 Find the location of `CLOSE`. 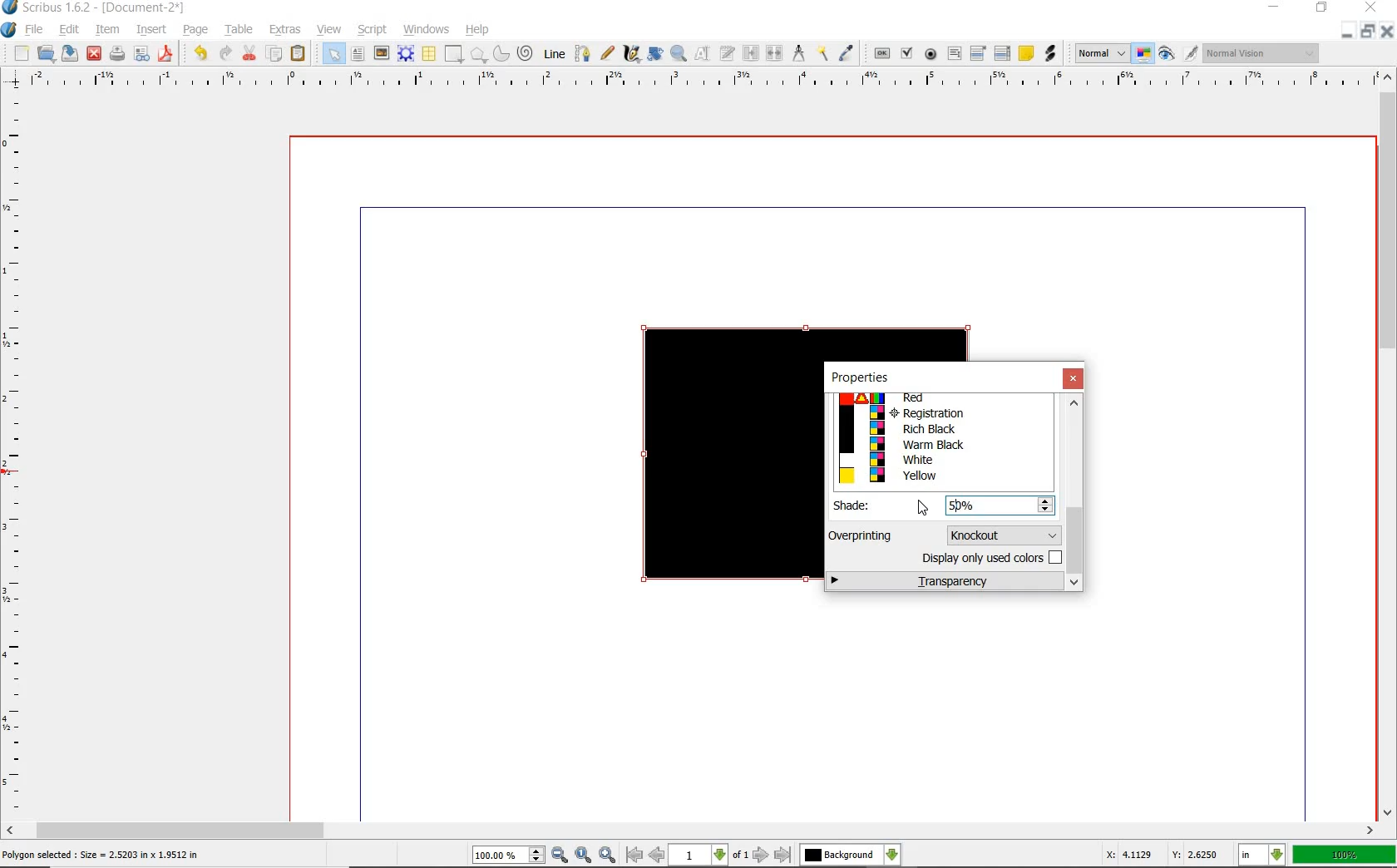

CLOSE is located at coordinates (1385, 33).